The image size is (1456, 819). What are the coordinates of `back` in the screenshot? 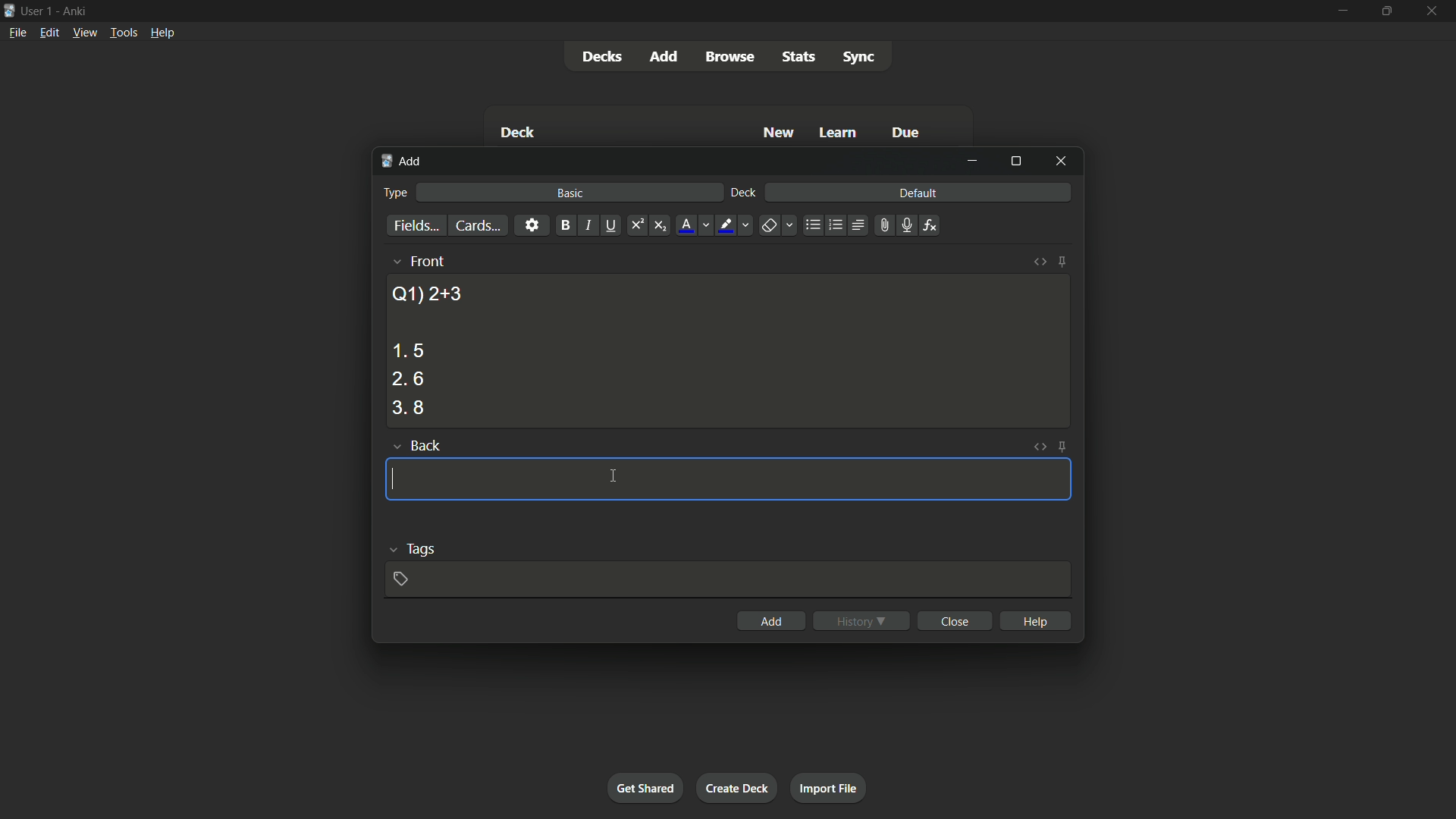 It's located at (425, 447).